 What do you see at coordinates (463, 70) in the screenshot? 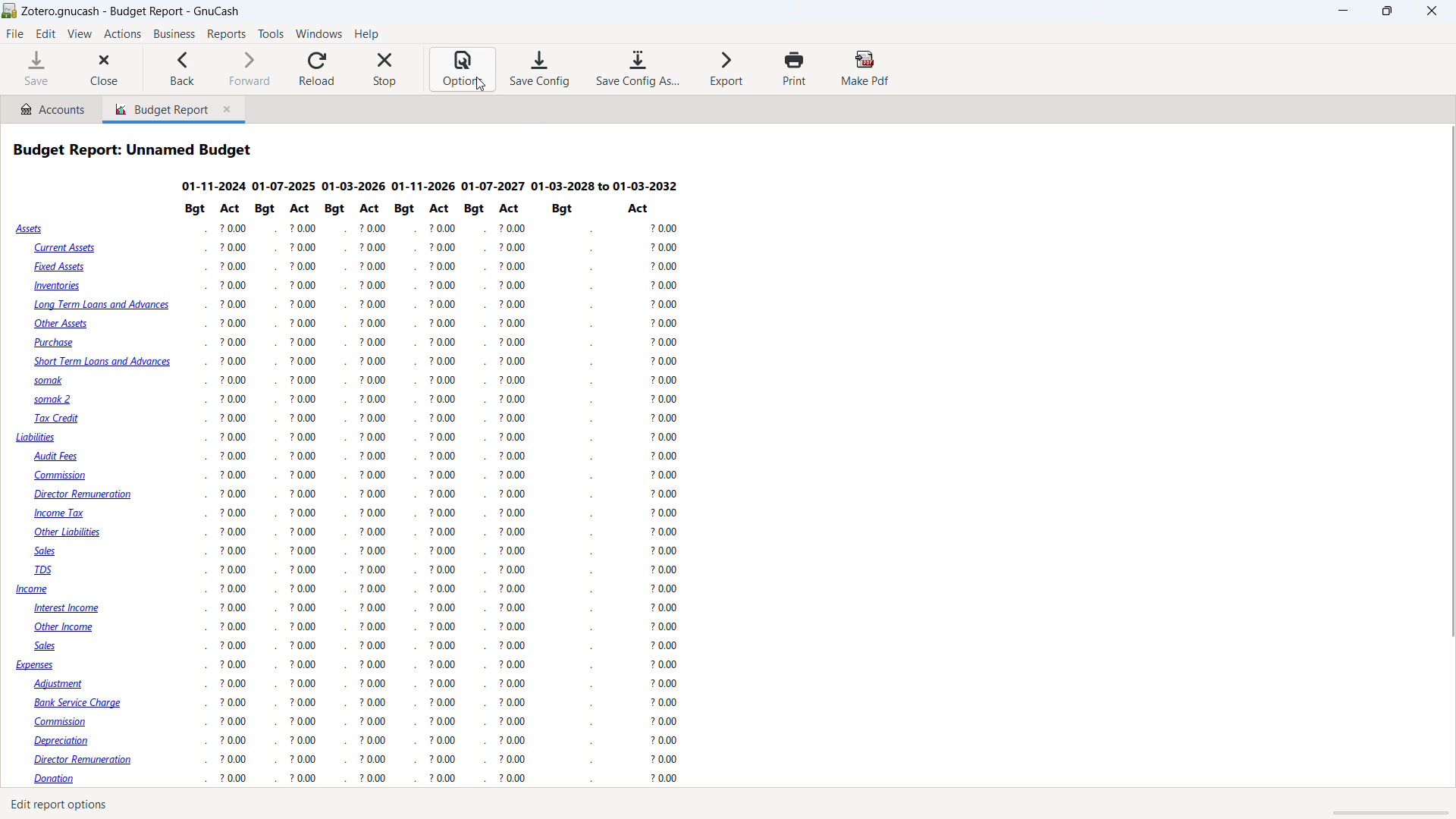
I see `options` at bounding box center [463, 70].